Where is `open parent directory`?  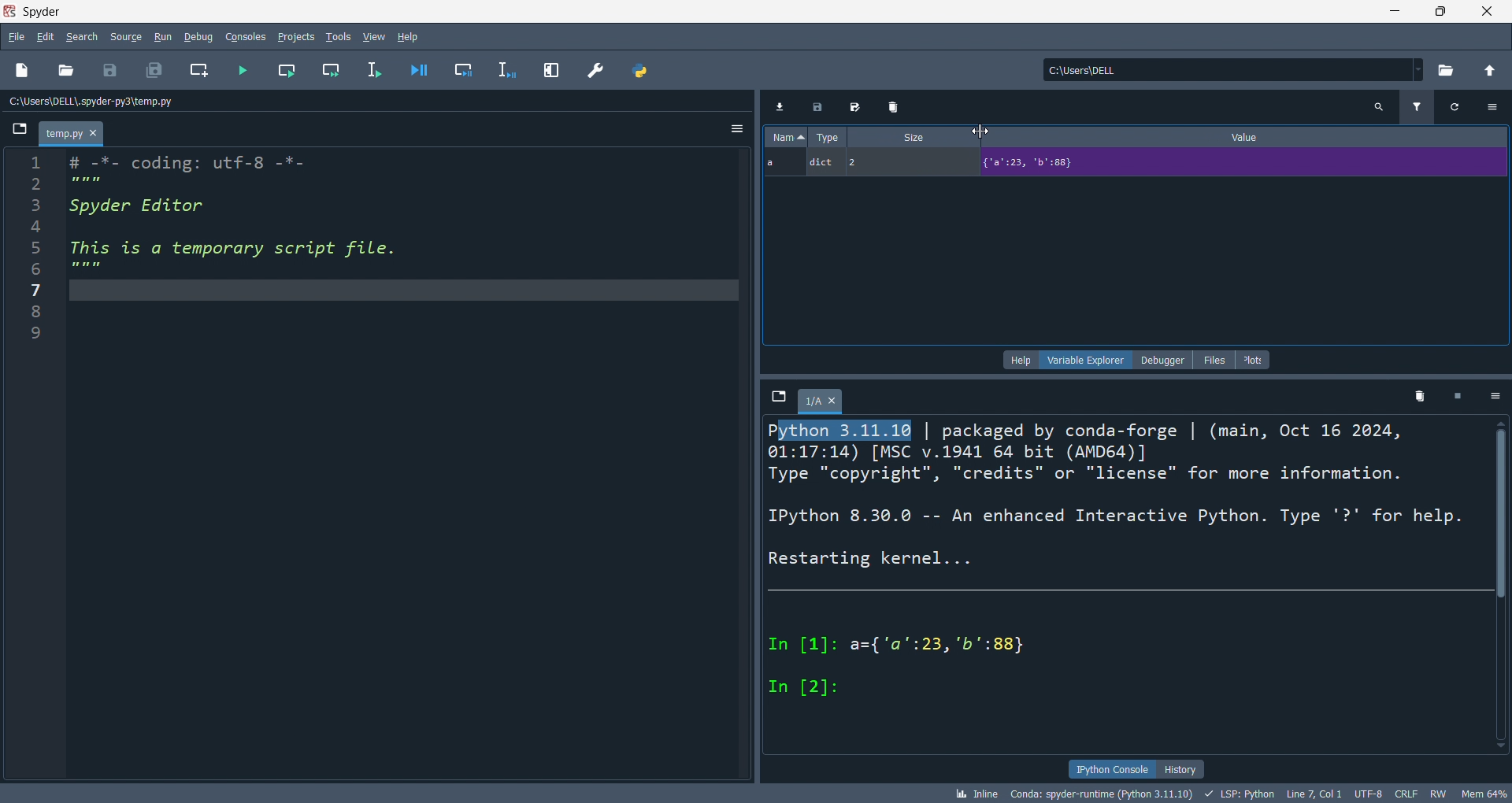
open parent directory is located at coordinates (1487, 70).